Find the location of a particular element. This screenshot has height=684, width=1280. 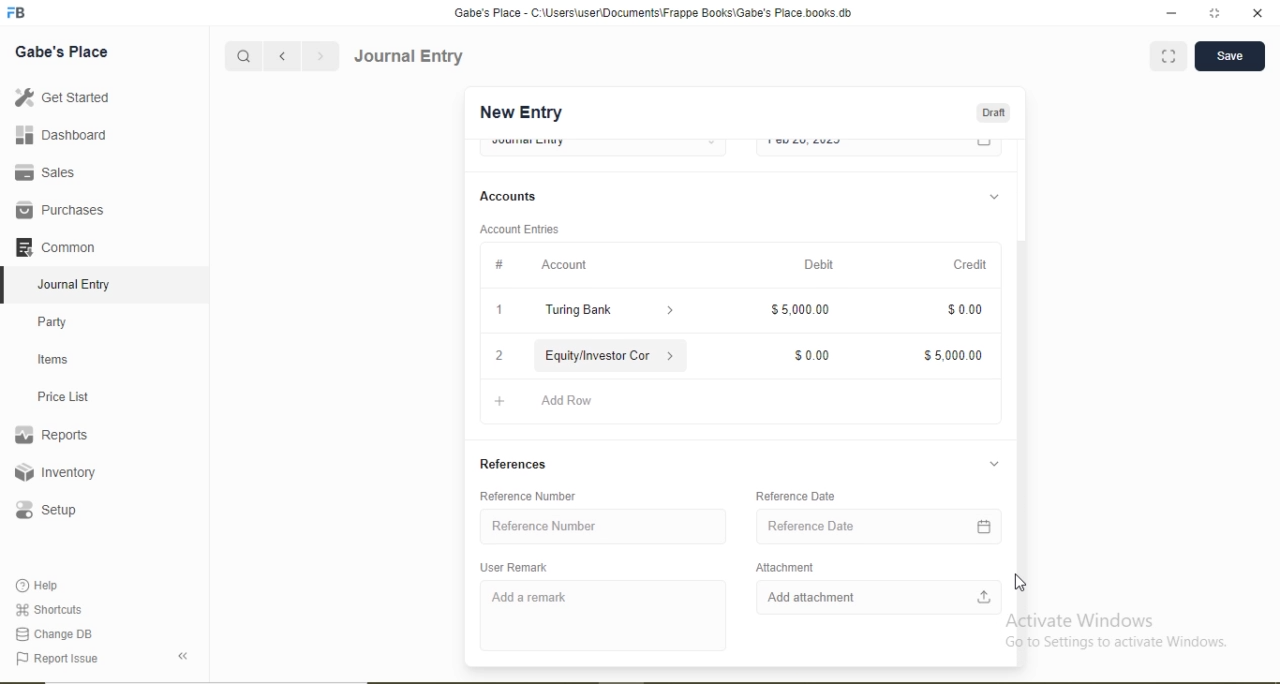

Dropdown is located at coordinates (671, 356).